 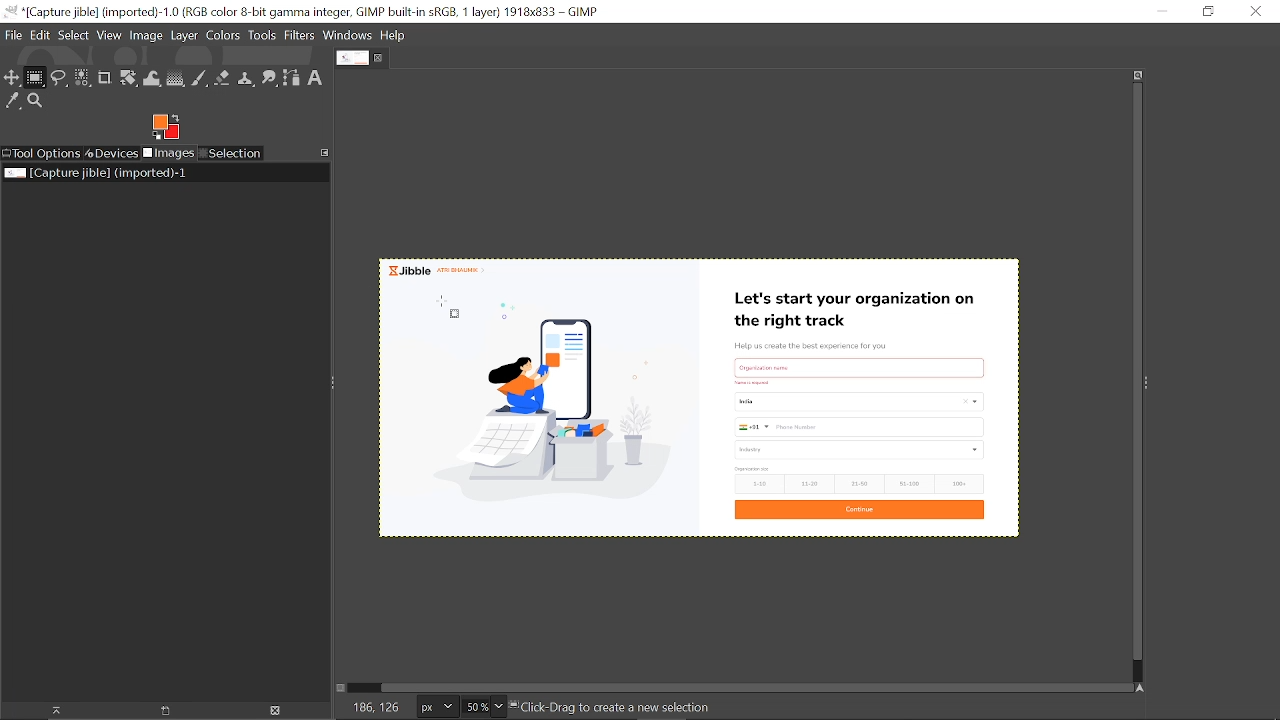 I want to click on Zoom when window size changes, so click(x=1138, y=75).